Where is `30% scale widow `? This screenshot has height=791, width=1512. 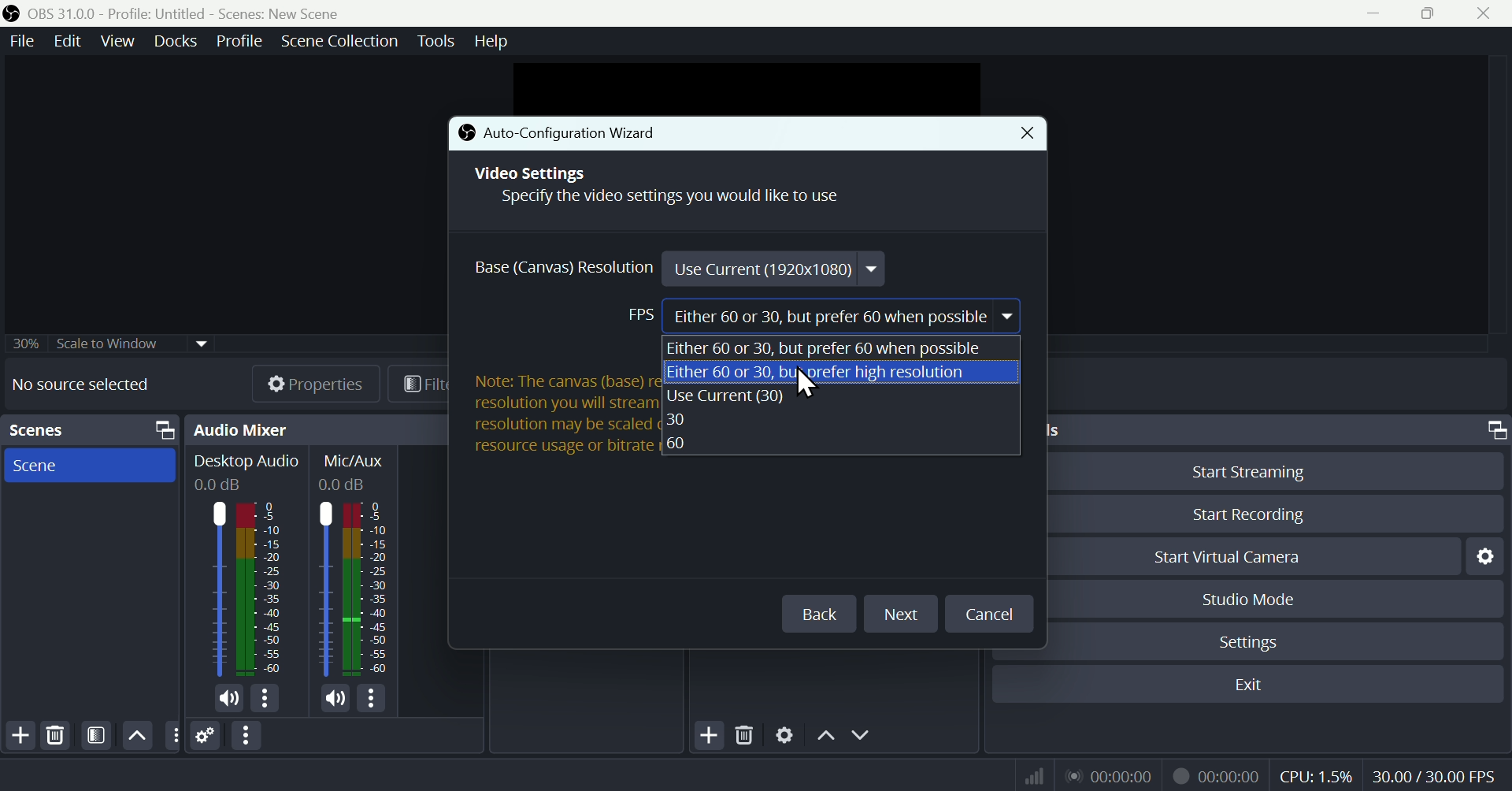 30% scale widow  is located at coordinates (132, 342).